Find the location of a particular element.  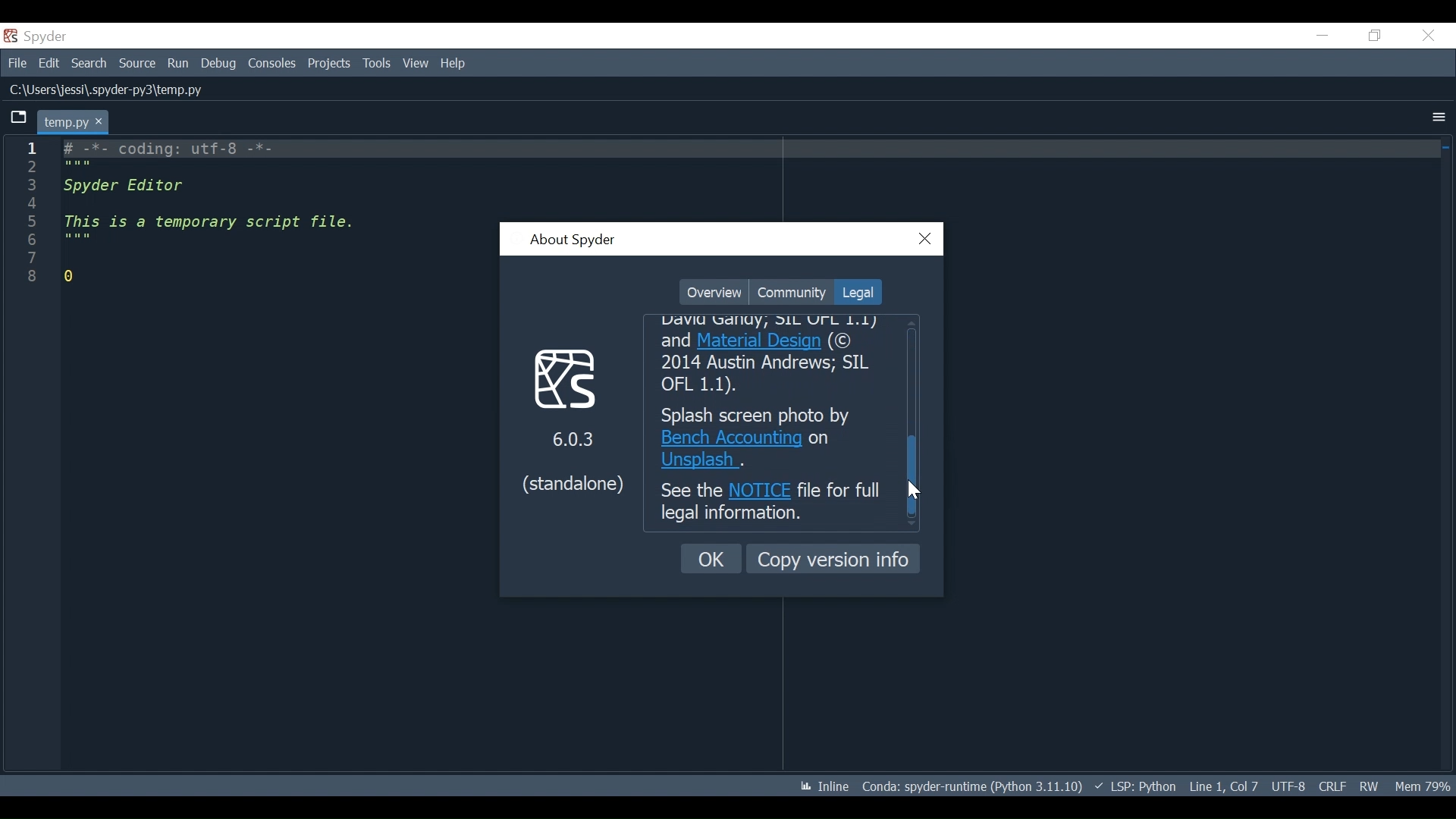

Close is located at coordinates (926, 240).